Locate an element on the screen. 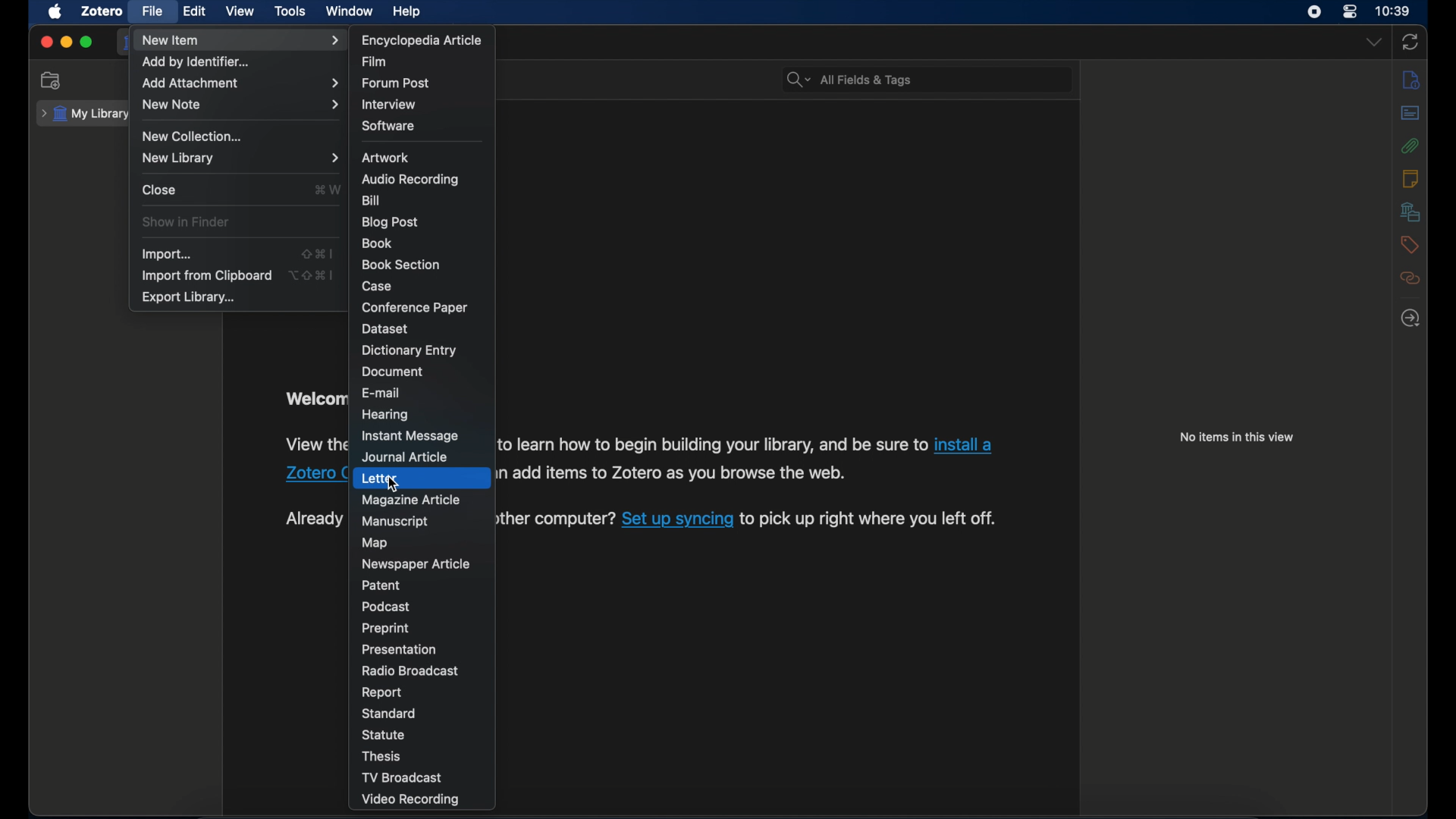 Image resolution: width=1456 pixels, height=819 pixels. conference paper is located at coordinates (416, 307).